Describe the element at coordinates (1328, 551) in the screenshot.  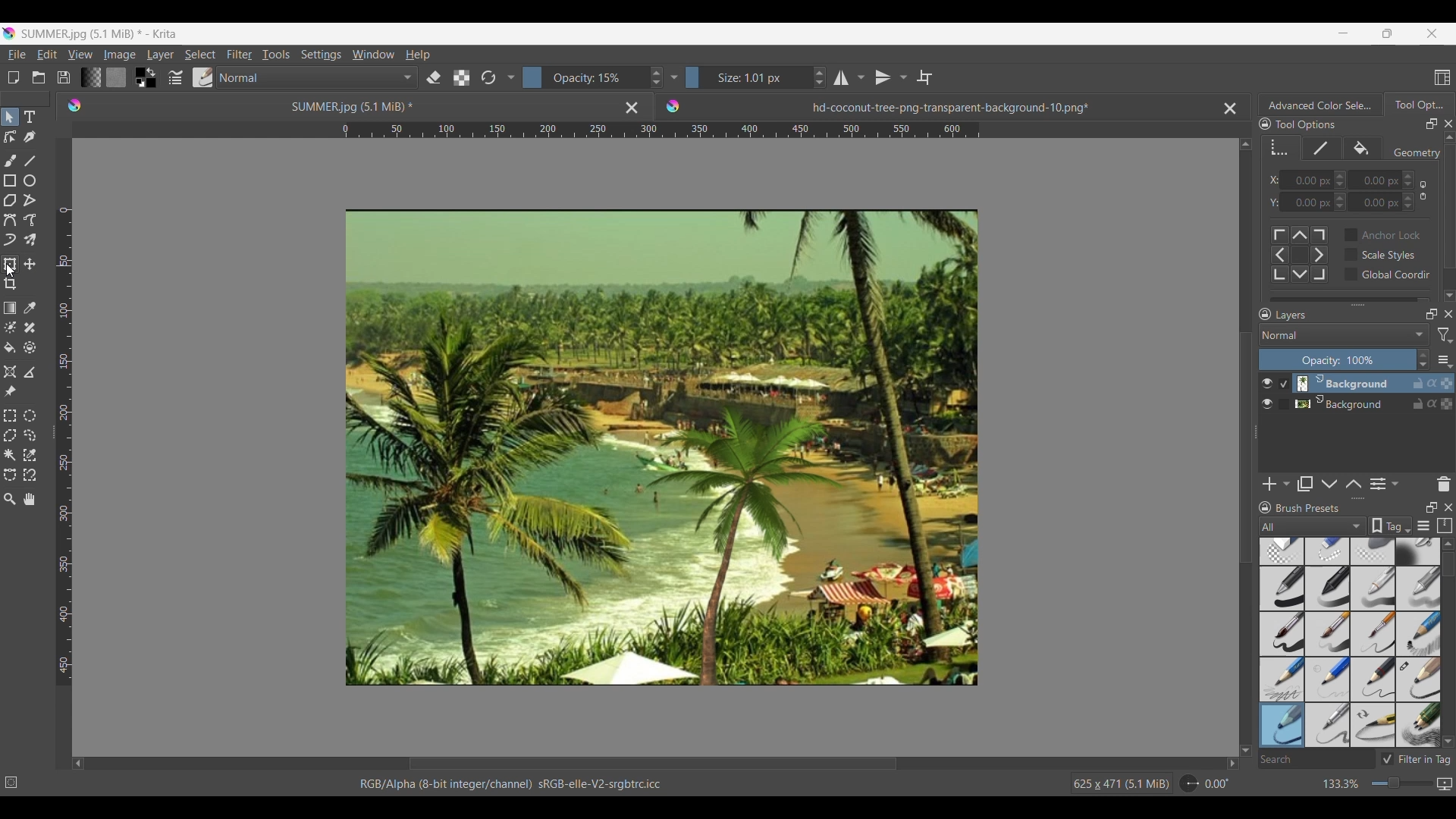
I see `Eraser small` at that location.